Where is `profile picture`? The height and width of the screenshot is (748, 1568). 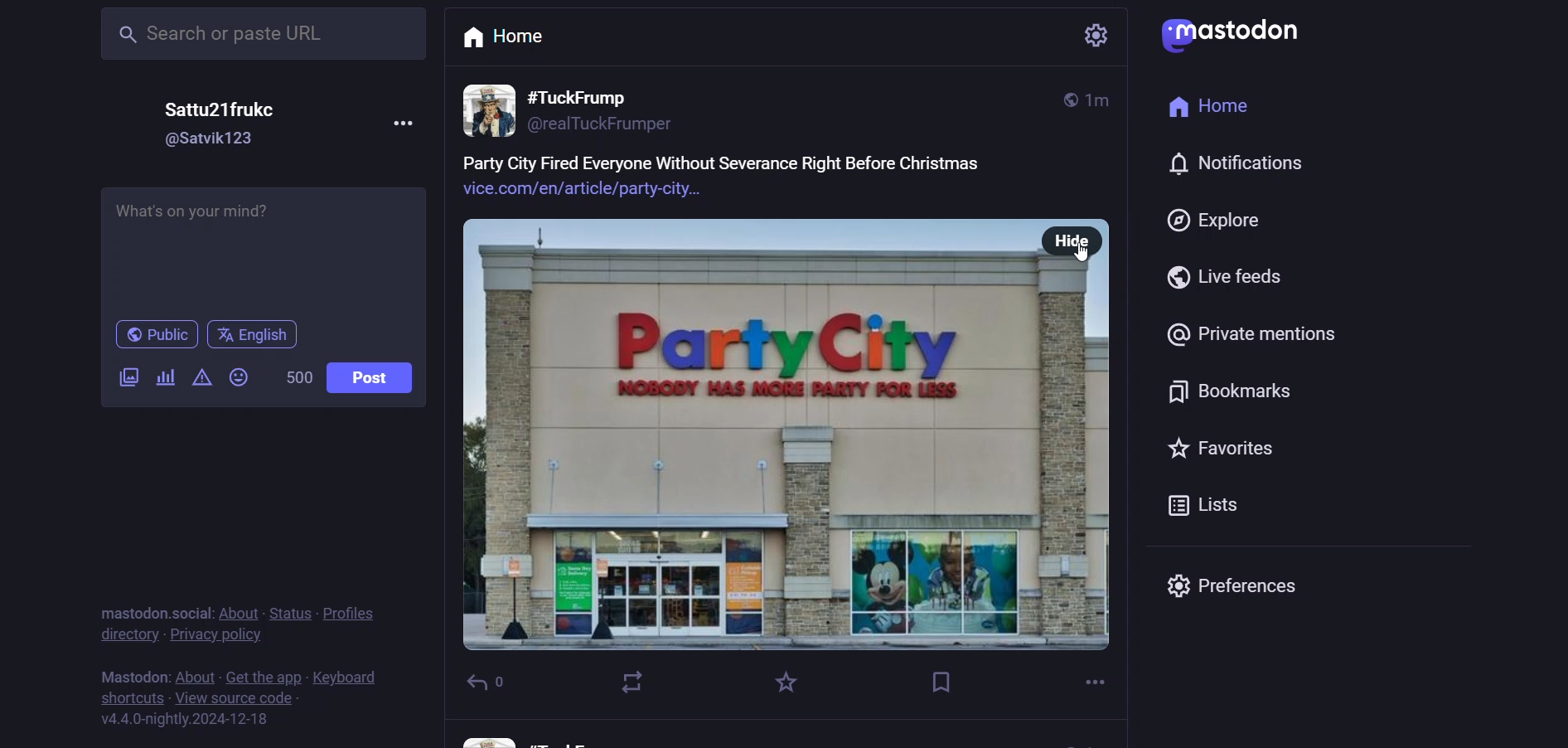
profile picture is located at coordinates (490, 109).